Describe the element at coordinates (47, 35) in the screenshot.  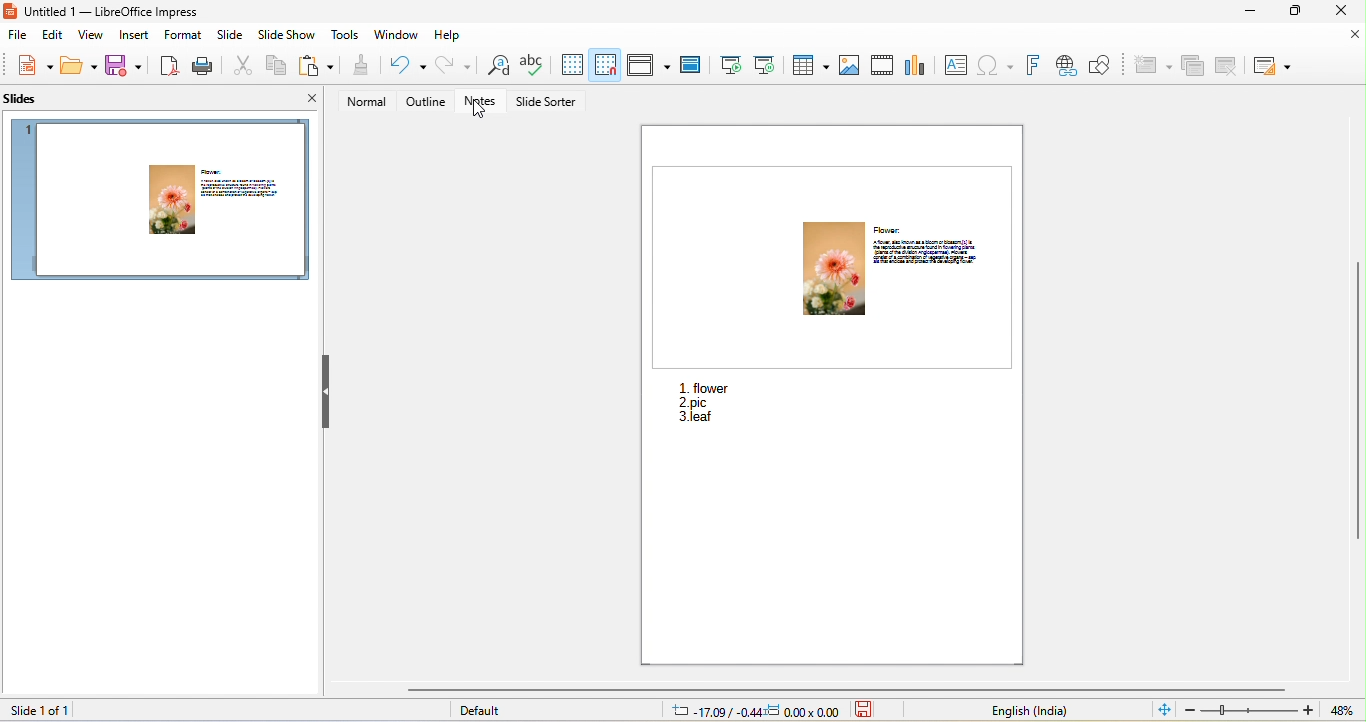
I see `edit` at that location.